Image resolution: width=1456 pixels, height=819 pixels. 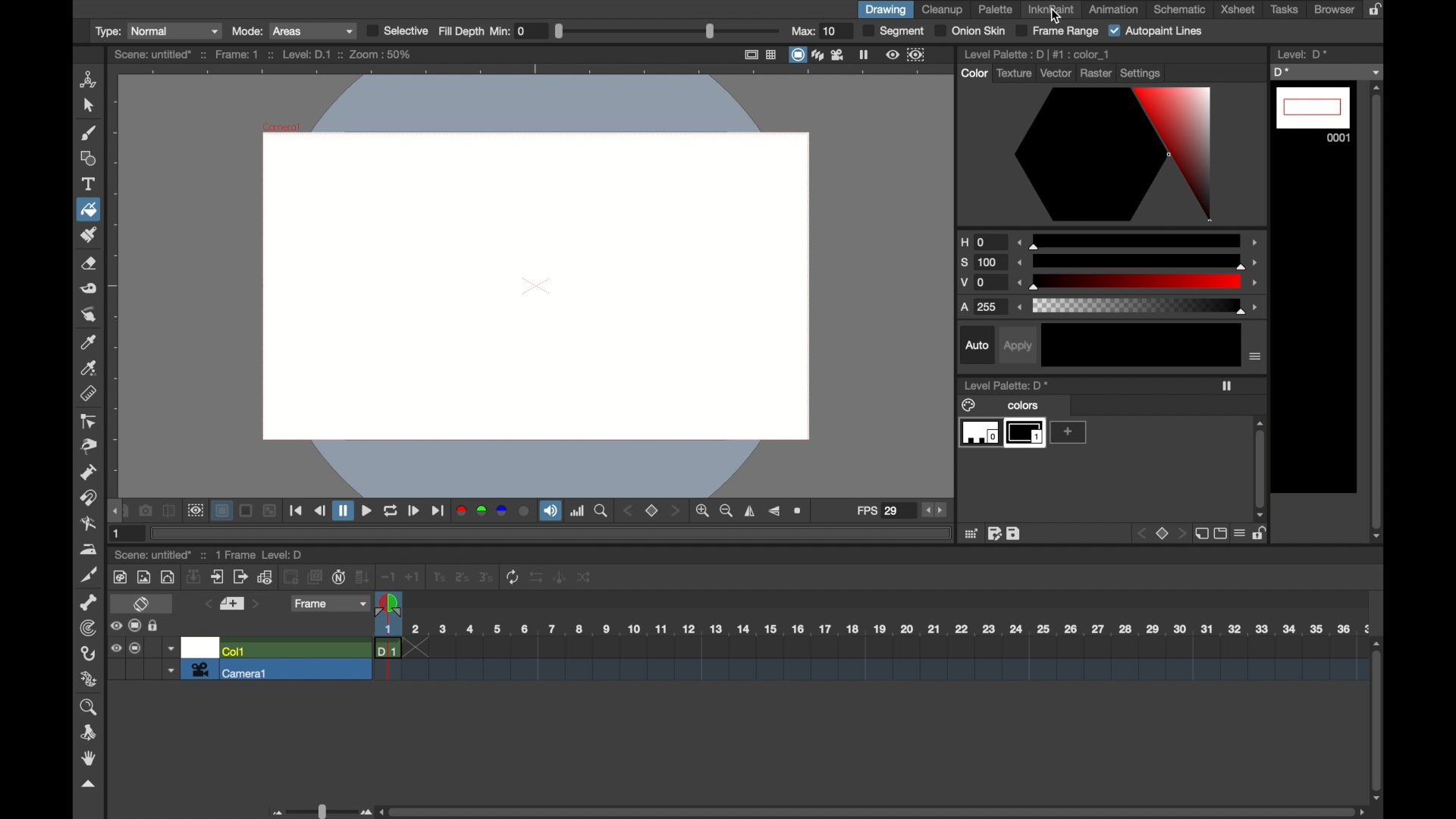 I want to click on fps, so click(x=879, y=511).